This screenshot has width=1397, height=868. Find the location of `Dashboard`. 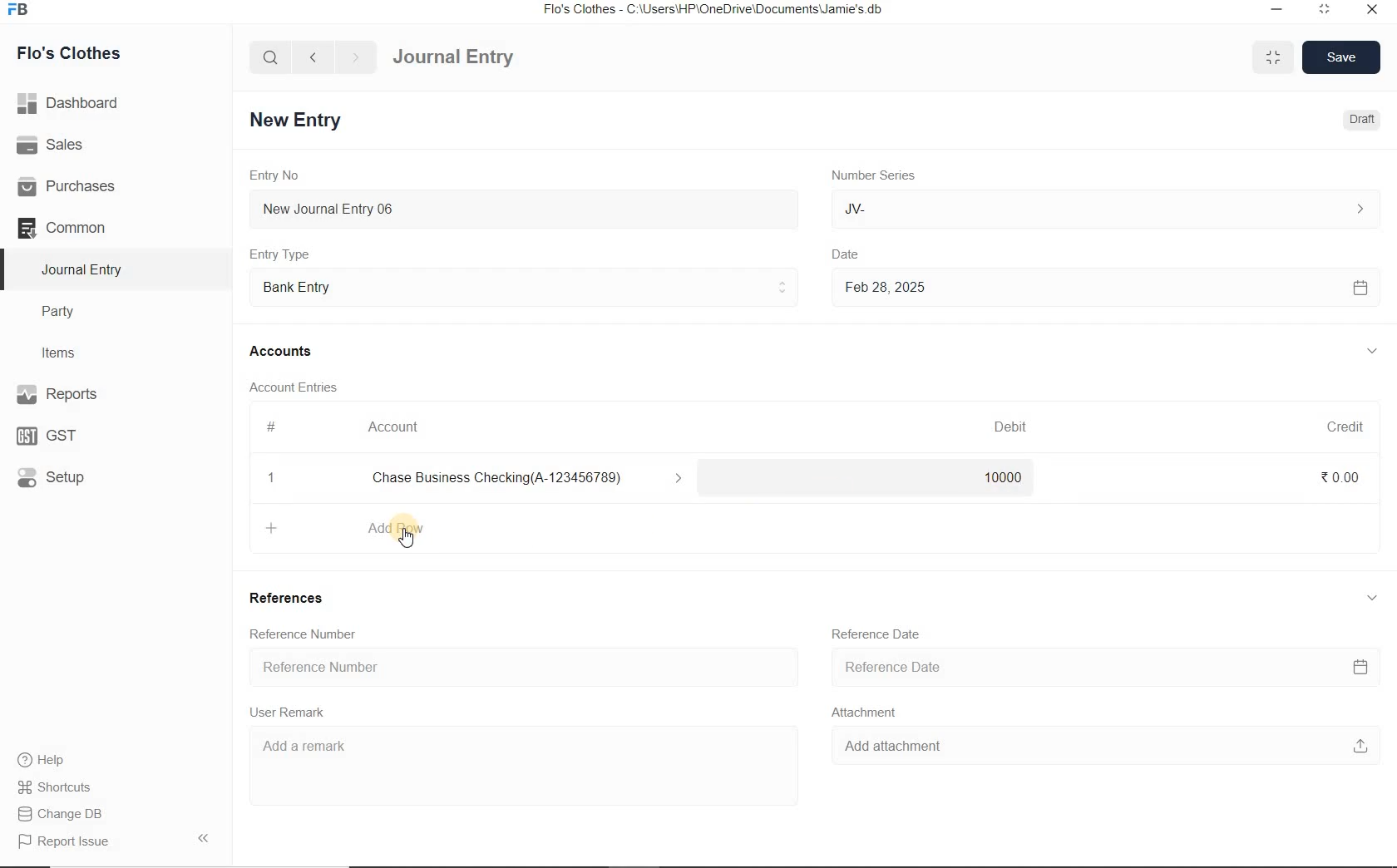

Dashboard is located at coordinates (74, 101).